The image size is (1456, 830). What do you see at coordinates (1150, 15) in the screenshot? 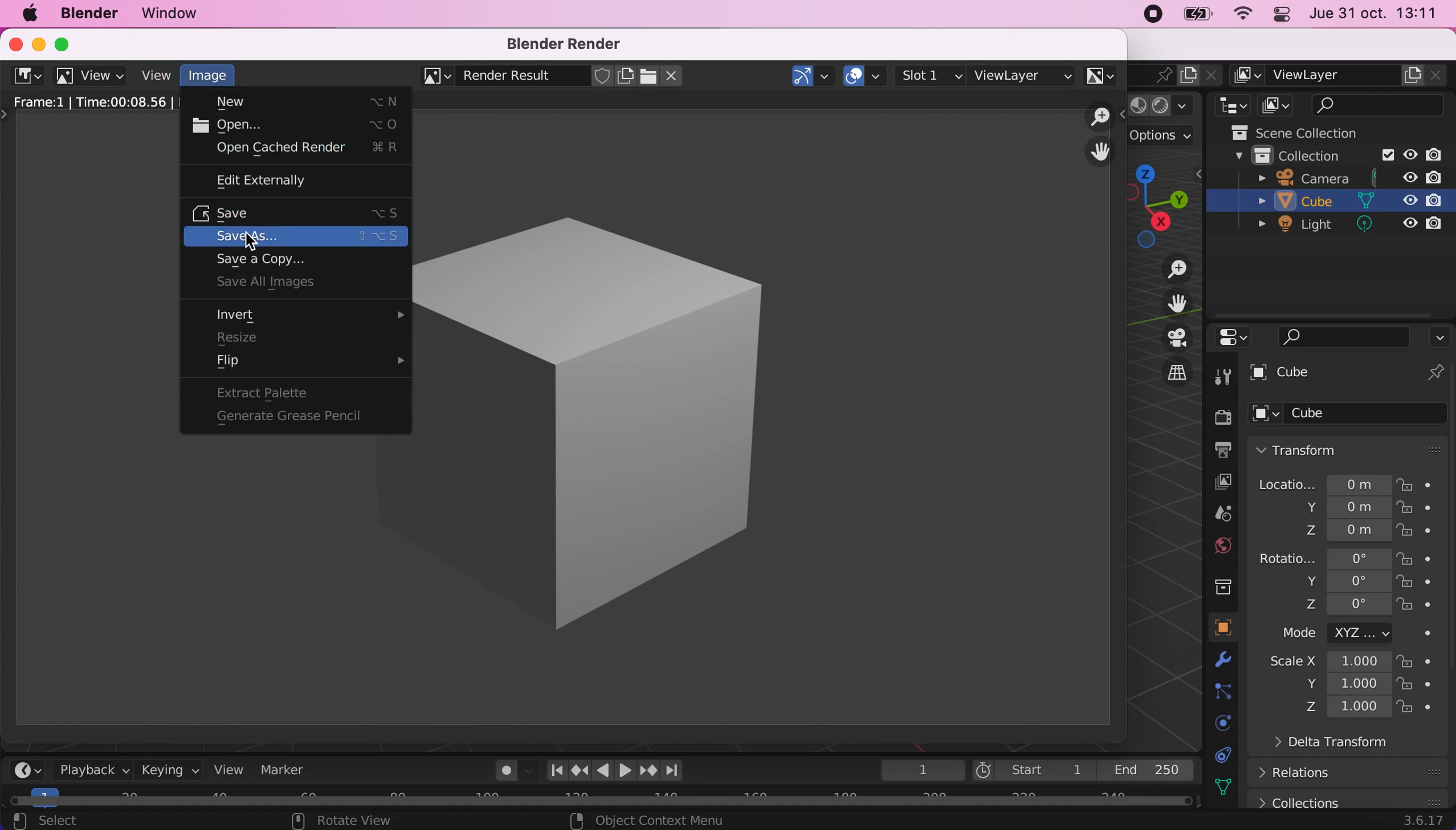
I see `recording stopped` at bounding box center [1150, 15].